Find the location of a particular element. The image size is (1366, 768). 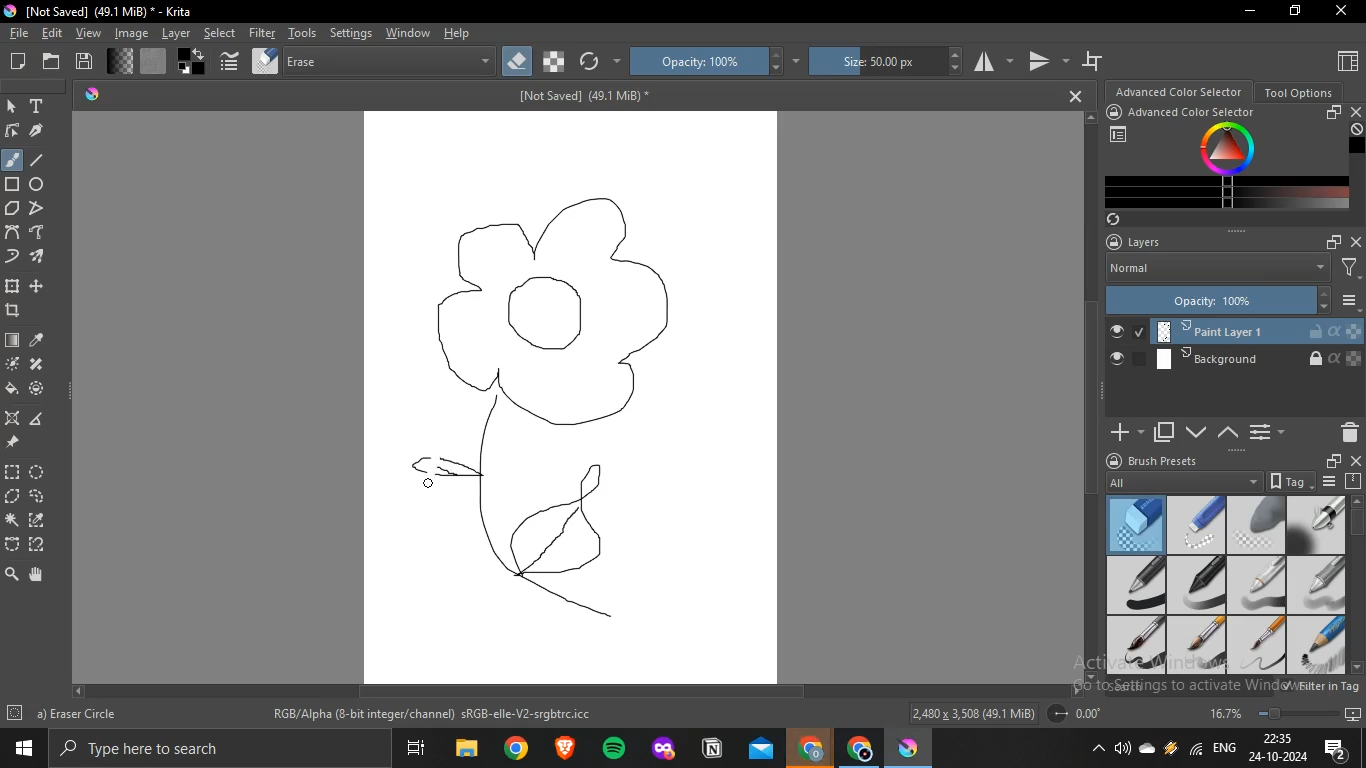

Undefined is located at coordinates (1357, 130).